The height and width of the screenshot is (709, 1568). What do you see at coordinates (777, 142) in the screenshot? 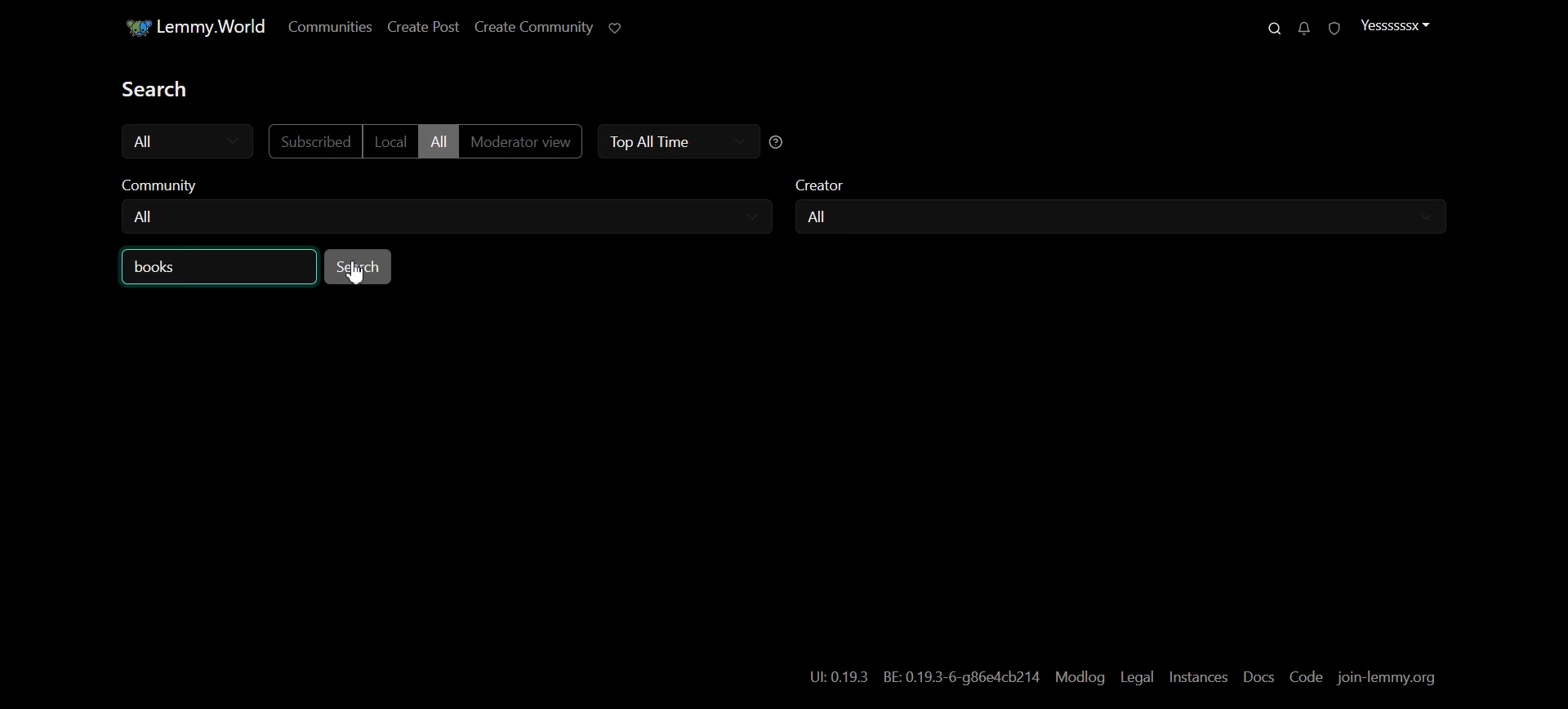
I see `Sorting help` at bounding box center [777, 142].